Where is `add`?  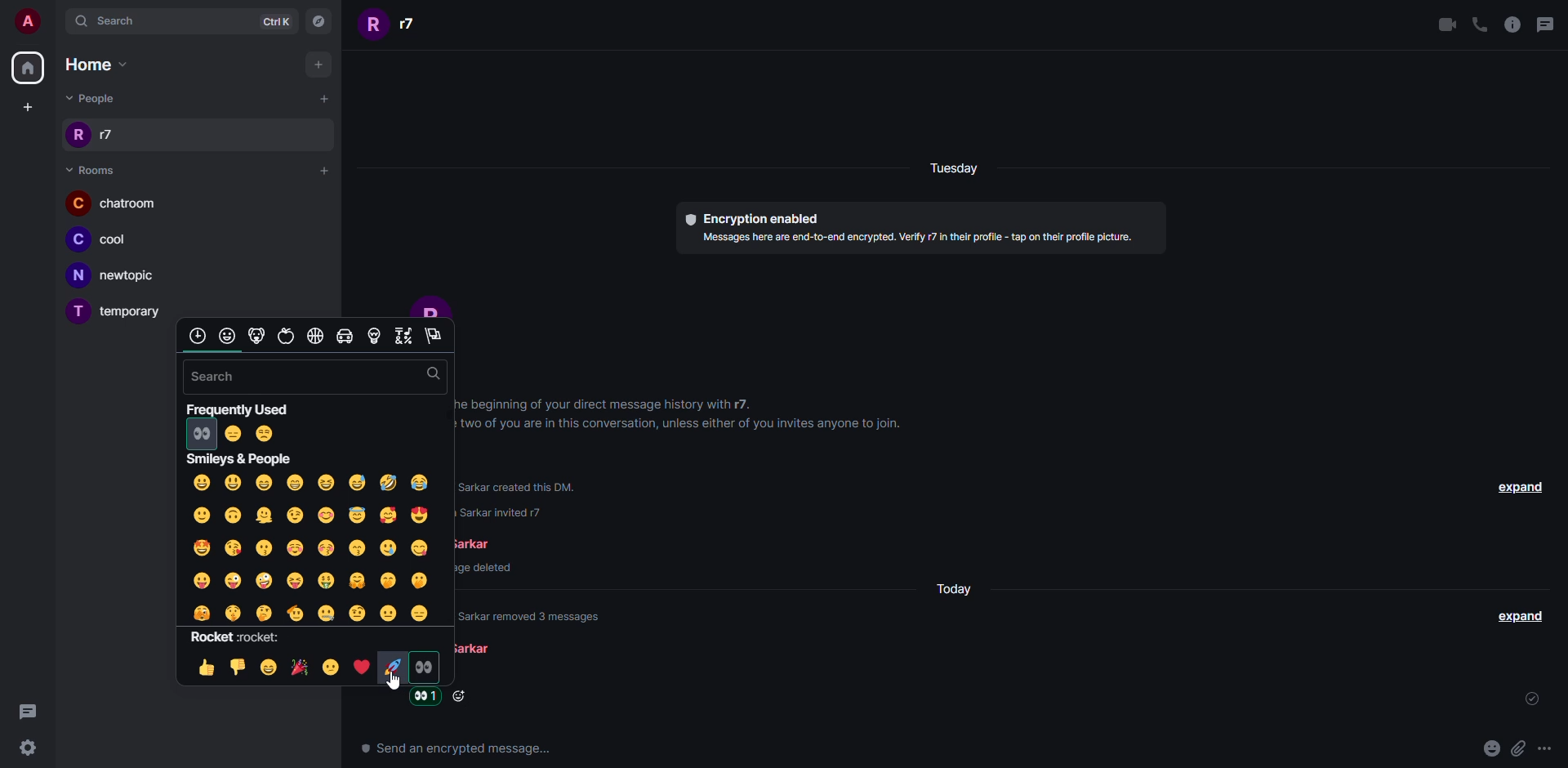
add is located at coordinates (322, 169).